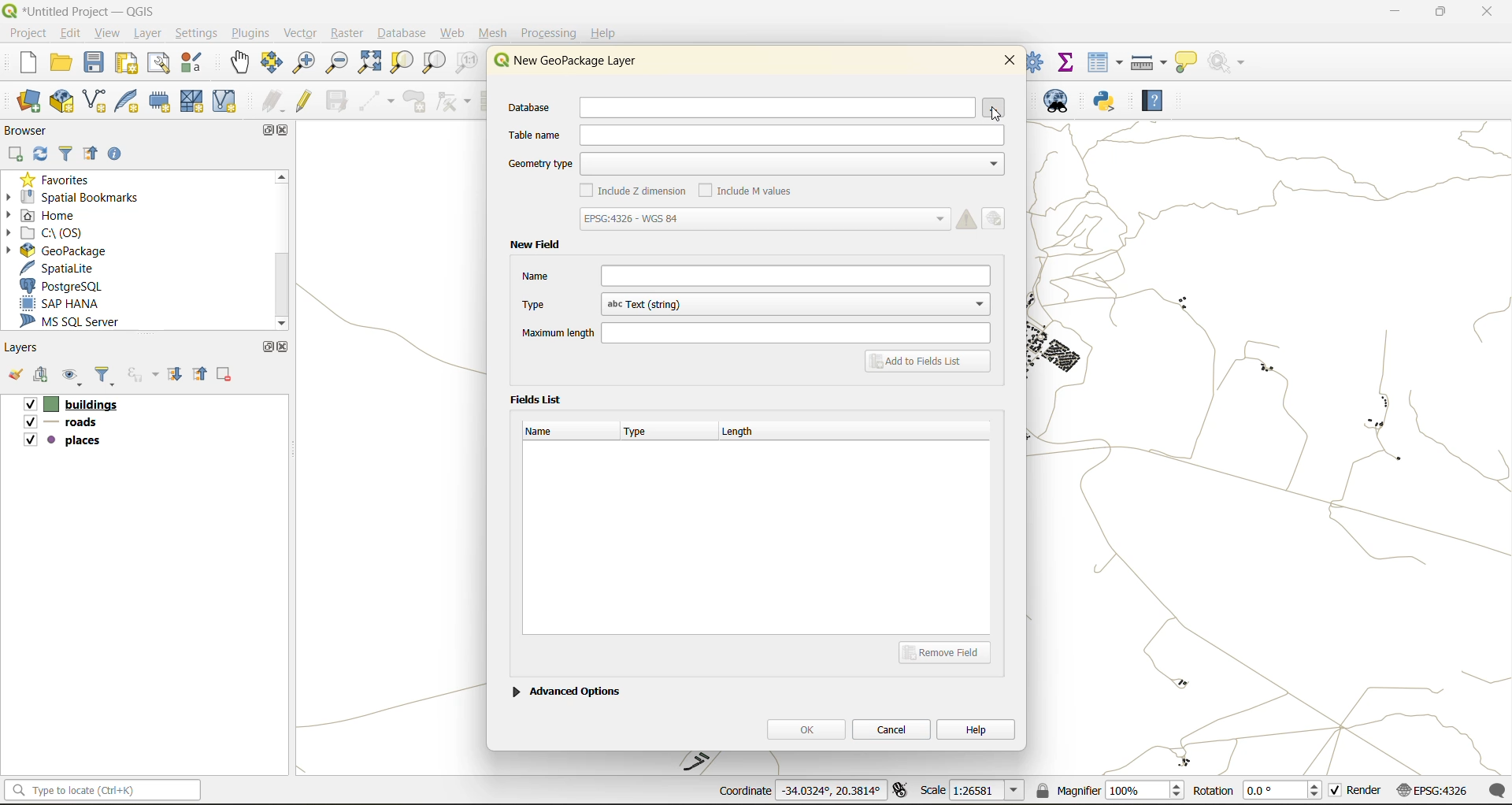 The image size is (1512, 805). Describe the element at coordinates (378, 102) in the screenshot. I see `digitize` at that location.